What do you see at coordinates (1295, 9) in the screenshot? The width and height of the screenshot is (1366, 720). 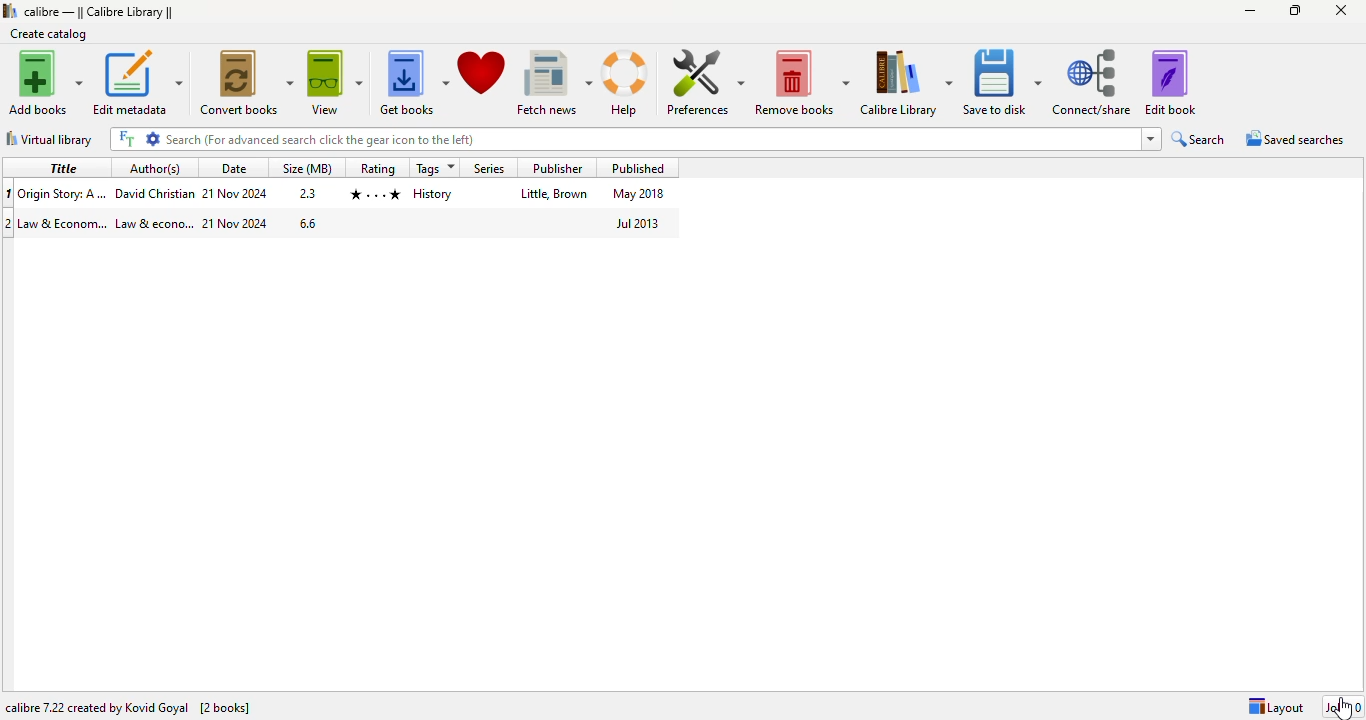 I see `maximize` at bounding box center [1295, 9].